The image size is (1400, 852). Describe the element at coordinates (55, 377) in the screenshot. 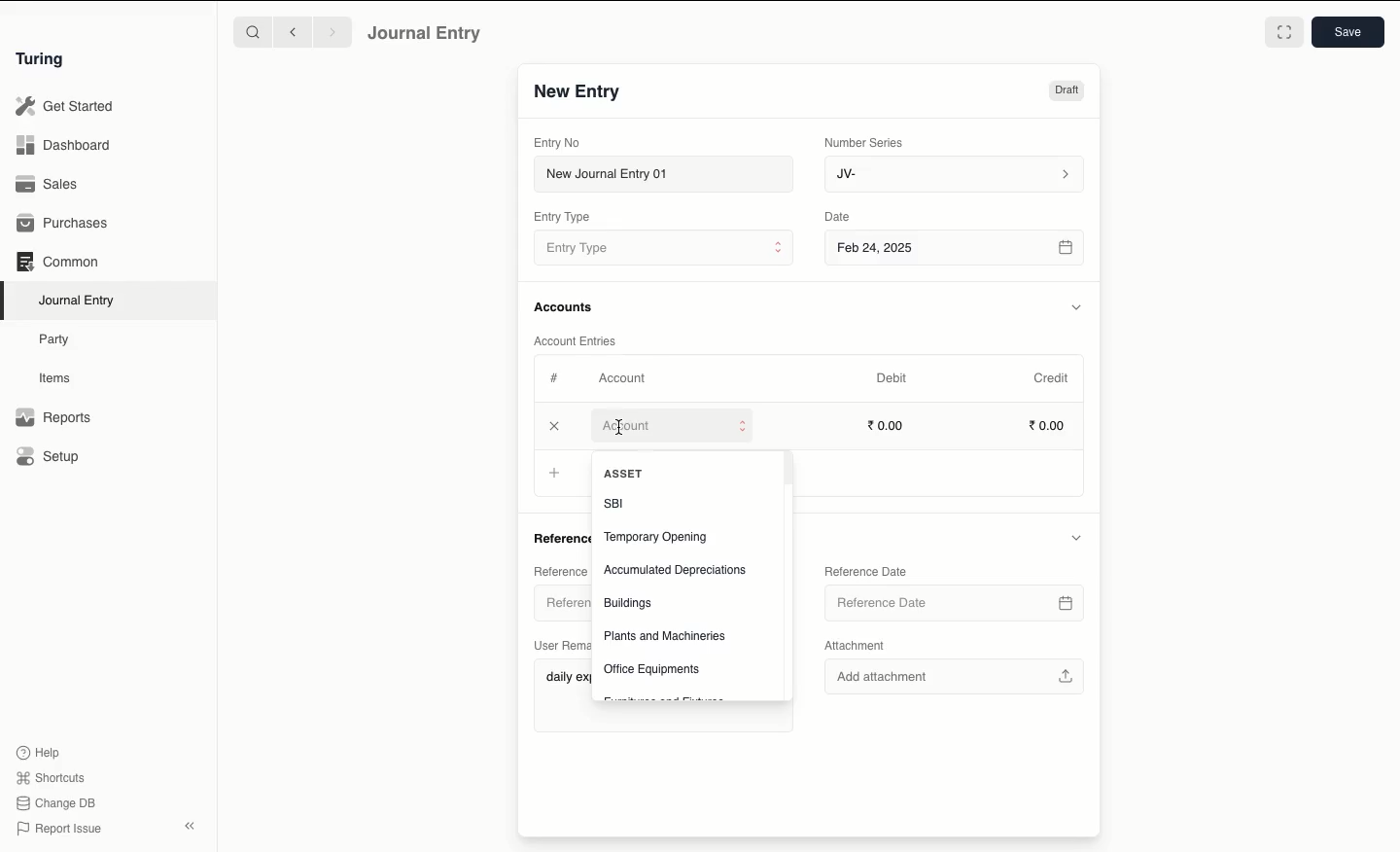

I see `Items` at that location.